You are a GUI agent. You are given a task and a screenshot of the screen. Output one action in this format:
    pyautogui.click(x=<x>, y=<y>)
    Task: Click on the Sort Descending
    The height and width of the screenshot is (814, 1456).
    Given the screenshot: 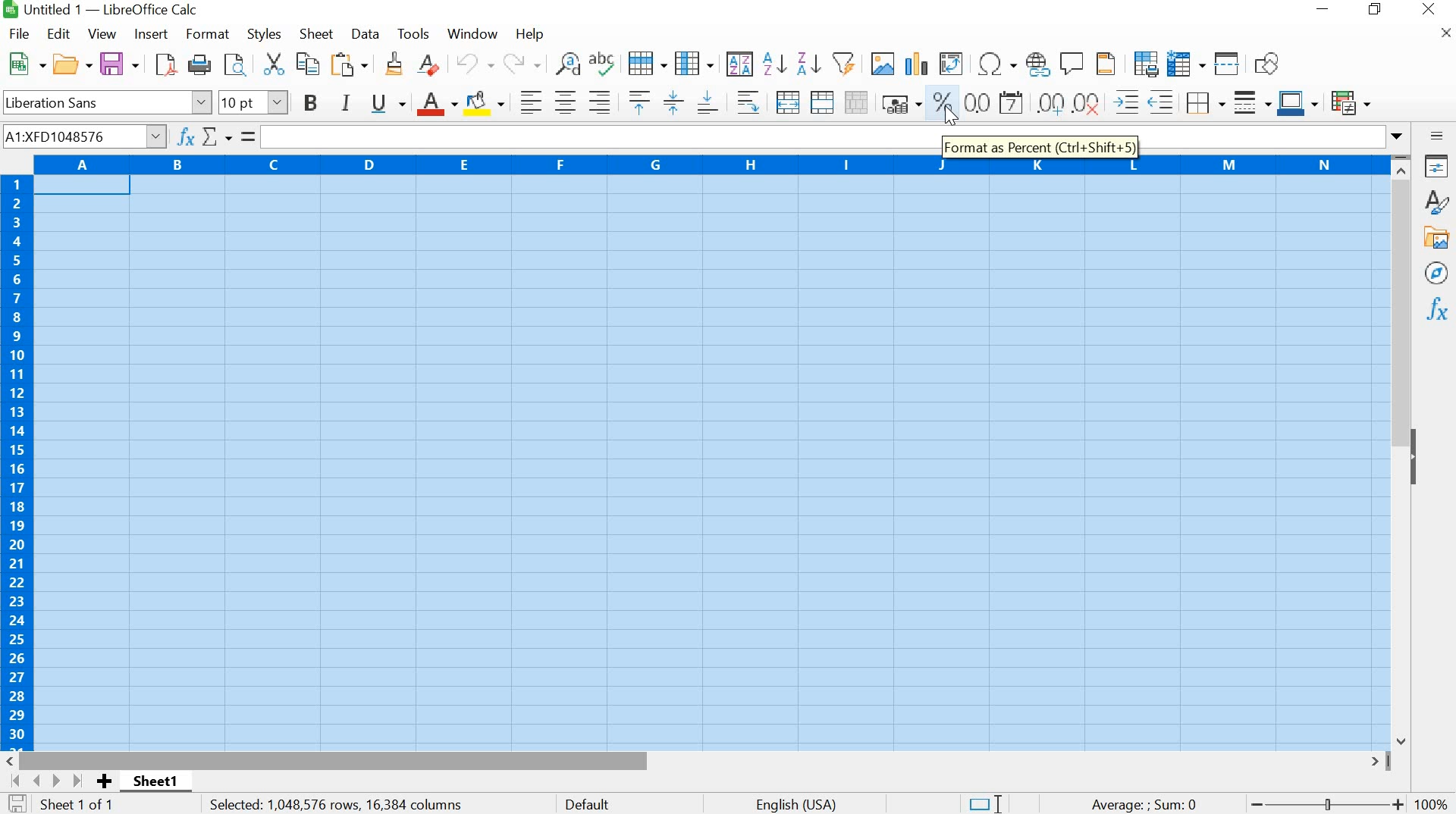 What is the action you would take?
    pyautogui.click(x=806, y=64)
    